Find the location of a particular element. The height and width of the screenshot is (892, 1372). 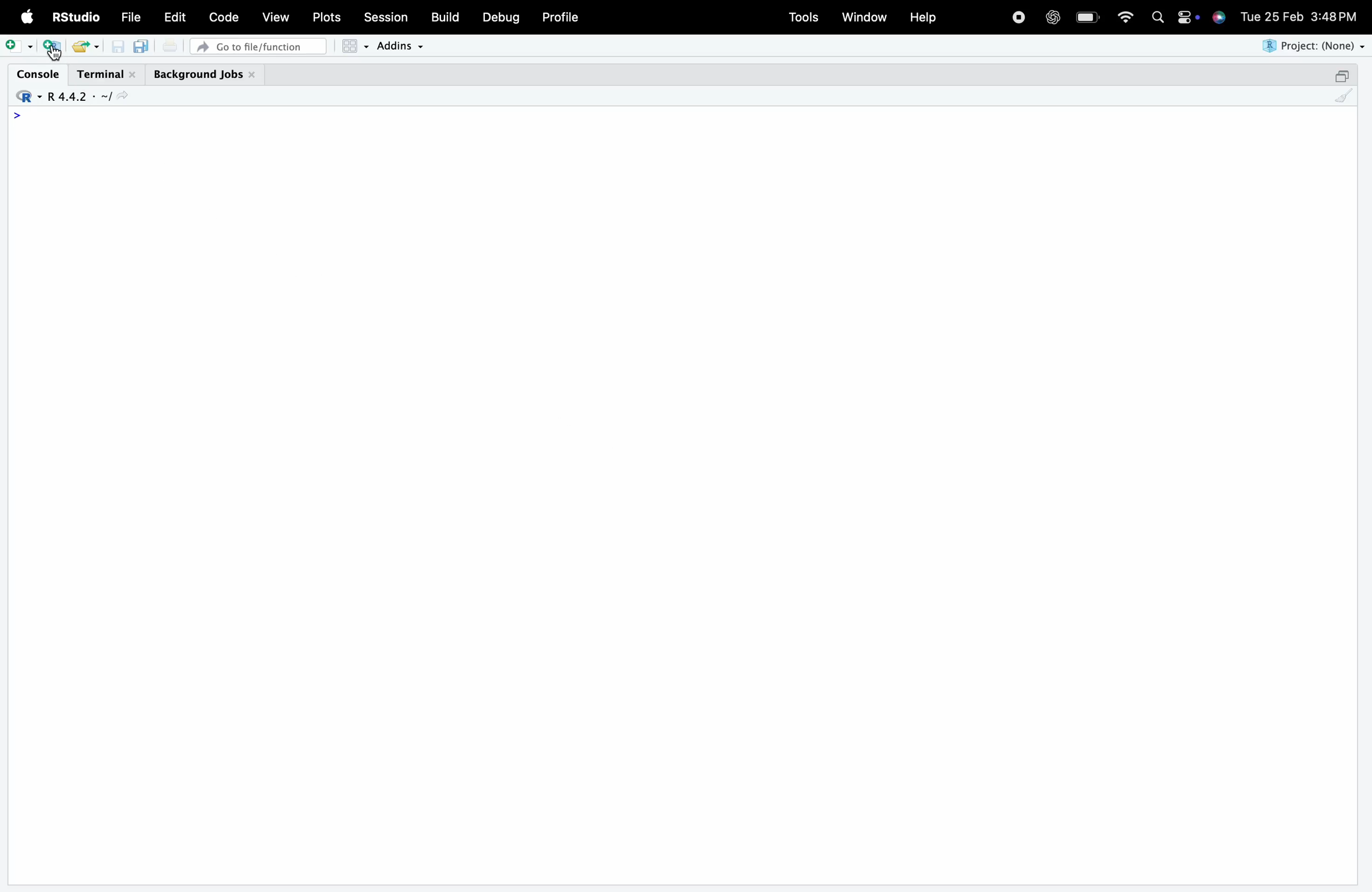

Tue 25 Feb is located at coordinates (1271, 15).